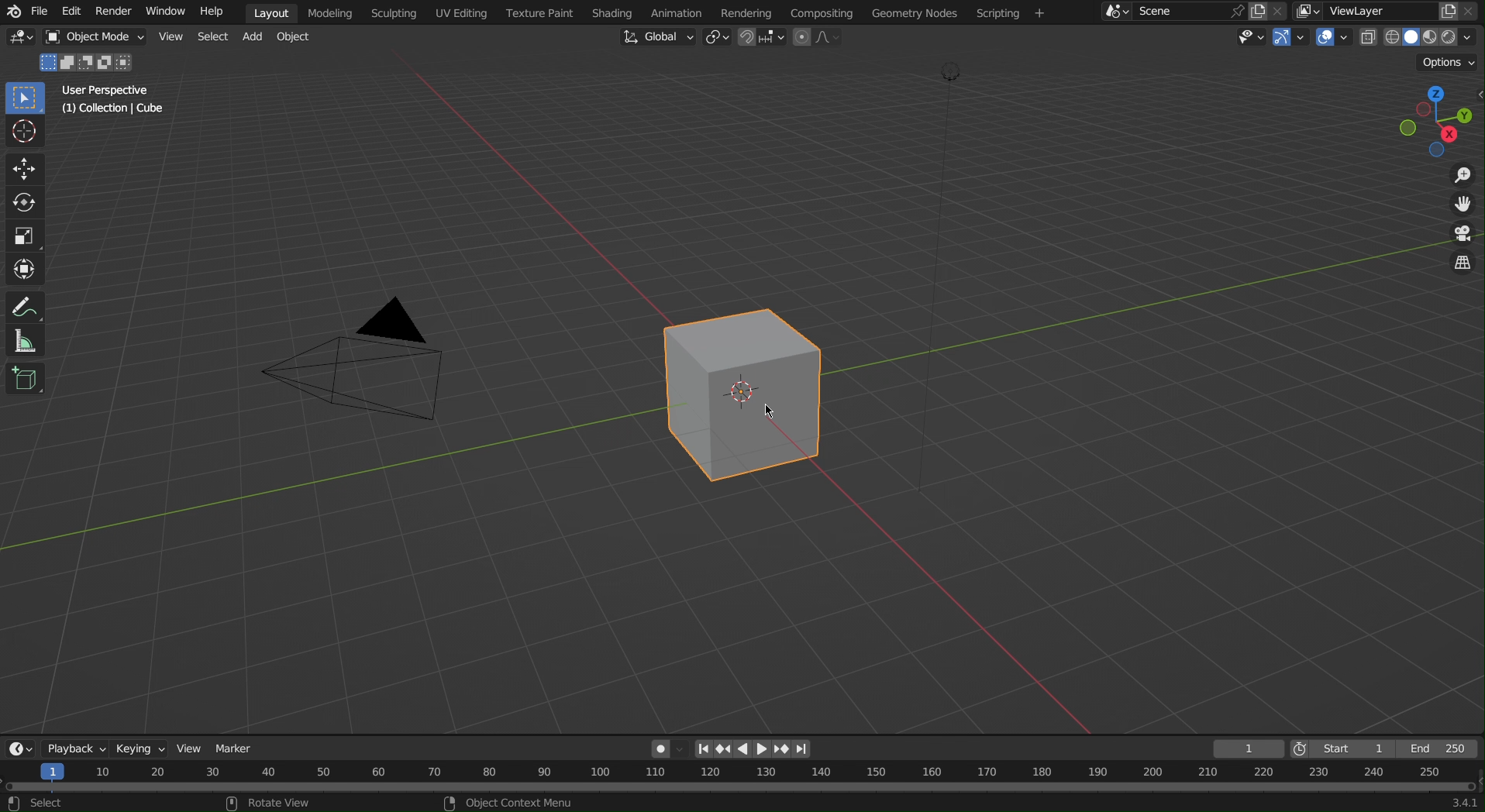  Describe the element at coordinates (167, 13) in the screenshot. I see `Window` at that location.